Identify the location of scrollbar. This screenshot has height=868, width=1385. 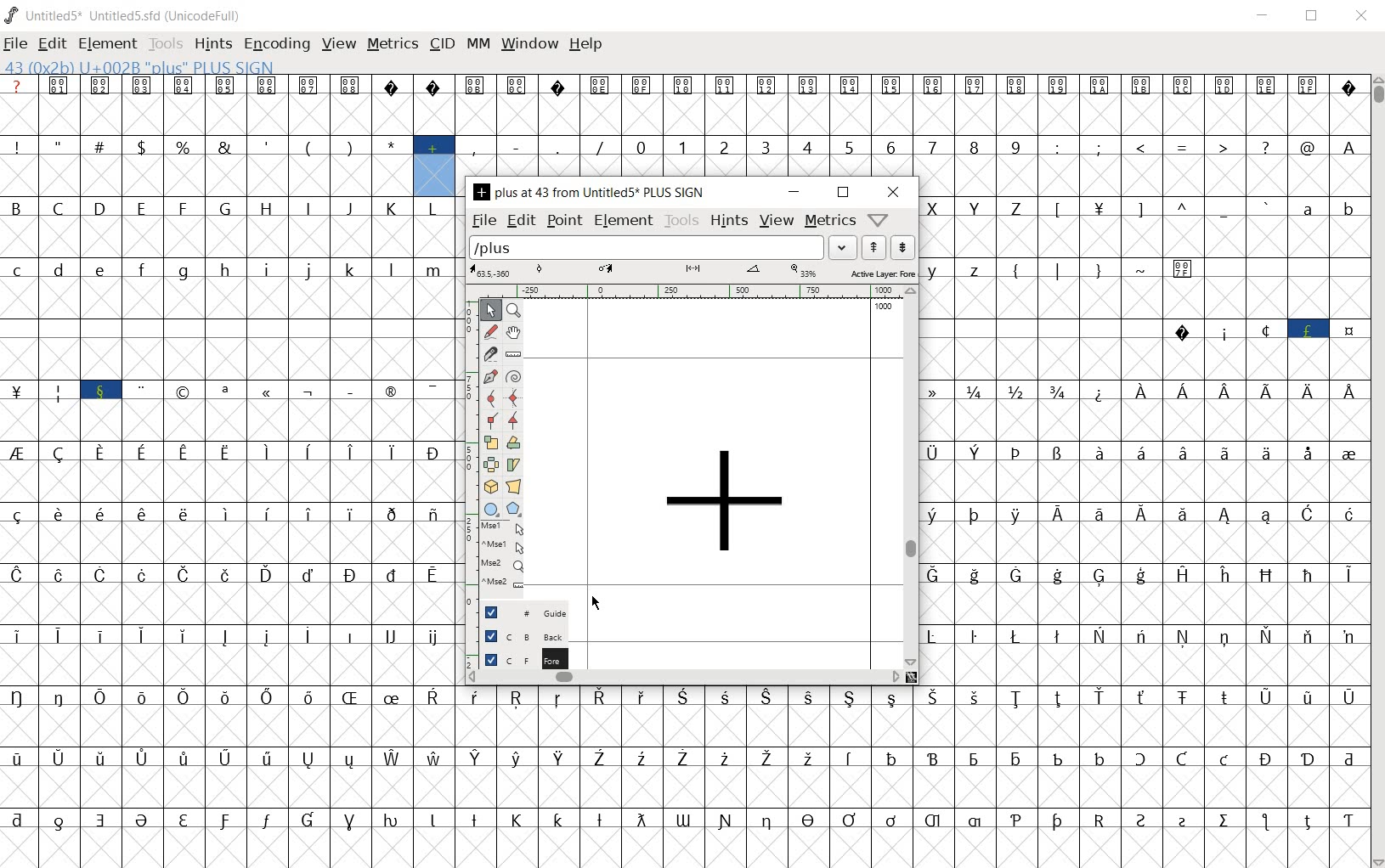
(684, 676).